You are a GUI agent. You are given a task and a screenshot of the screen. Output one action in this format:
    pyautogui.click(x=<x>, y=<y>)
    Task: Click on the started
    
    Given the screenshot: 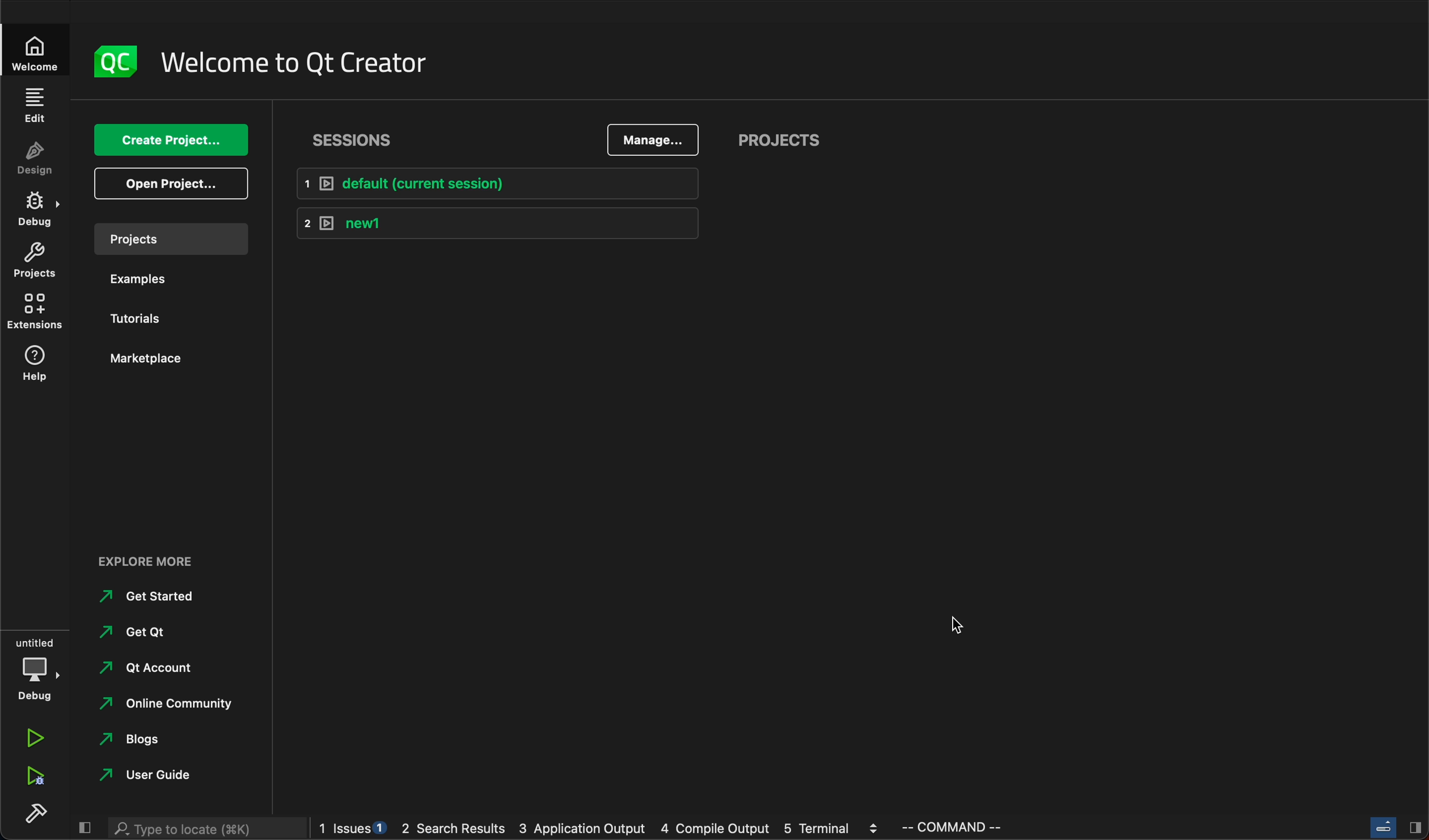 What is the action you would take?
    pyautogui.click(x=154, y=597)
    